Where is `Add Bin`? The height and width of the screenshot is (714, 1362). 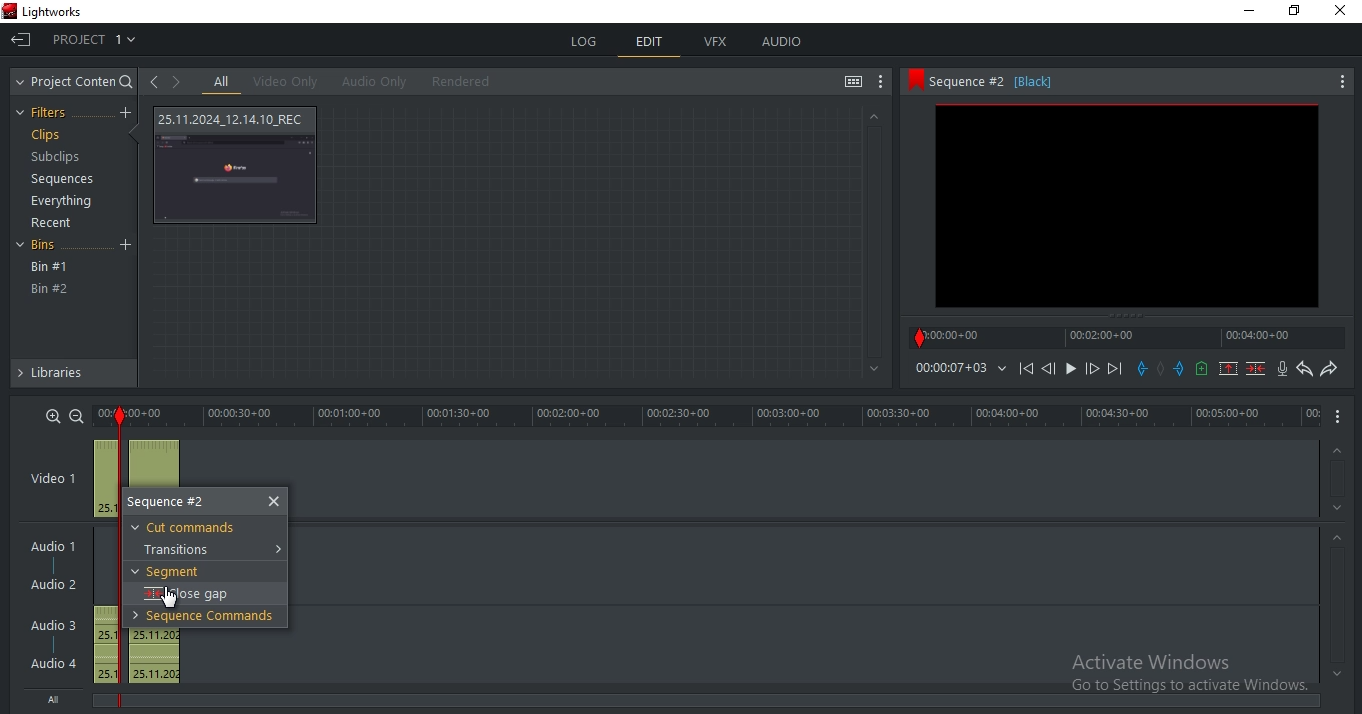
Add Bin is located at coordinates (128, 246).